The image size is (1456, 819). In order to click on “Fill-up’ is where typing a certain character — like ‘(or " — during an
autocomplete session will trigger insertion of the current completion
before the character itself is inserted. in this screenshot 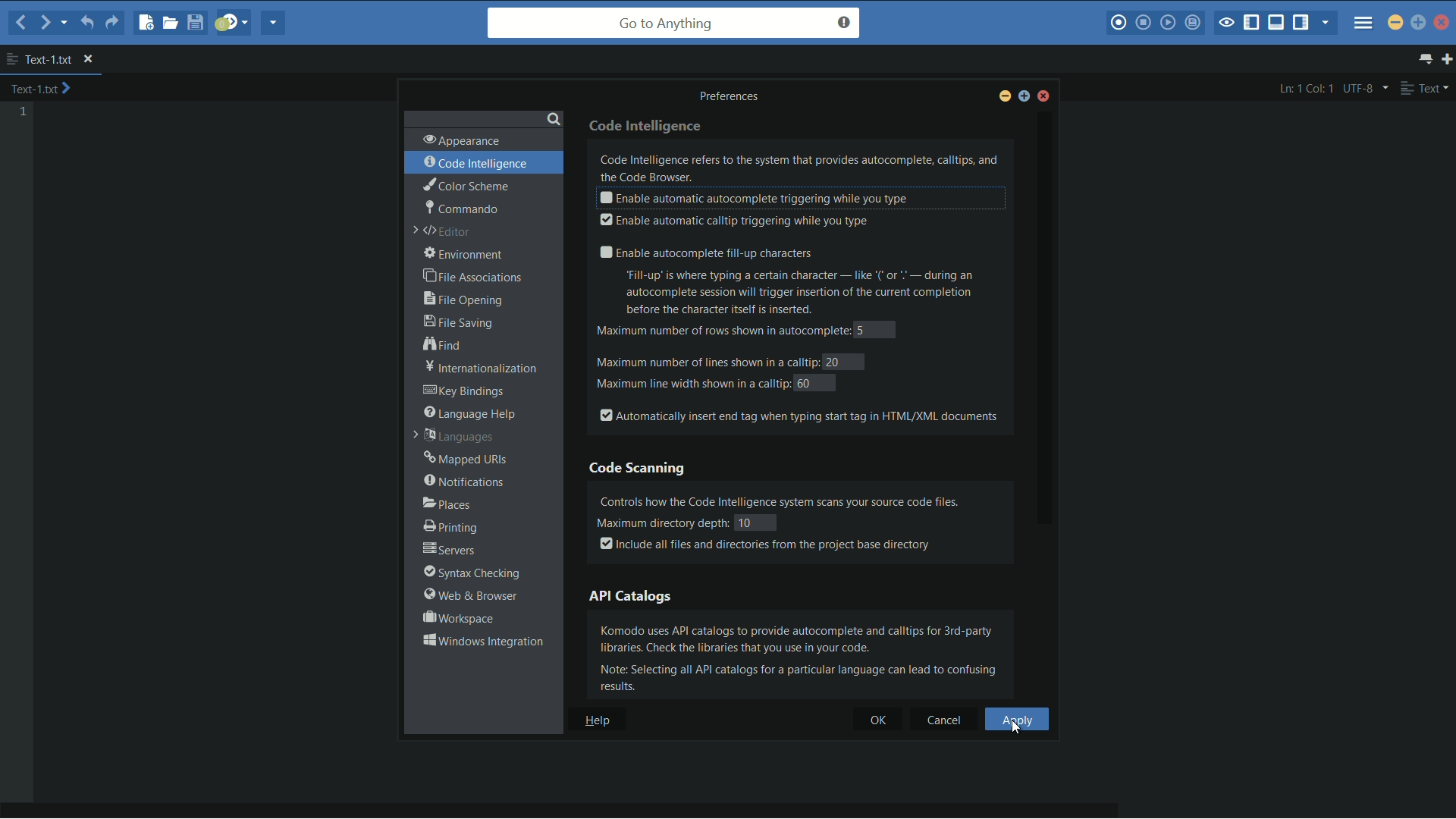, I will do `click(811, 293)`.